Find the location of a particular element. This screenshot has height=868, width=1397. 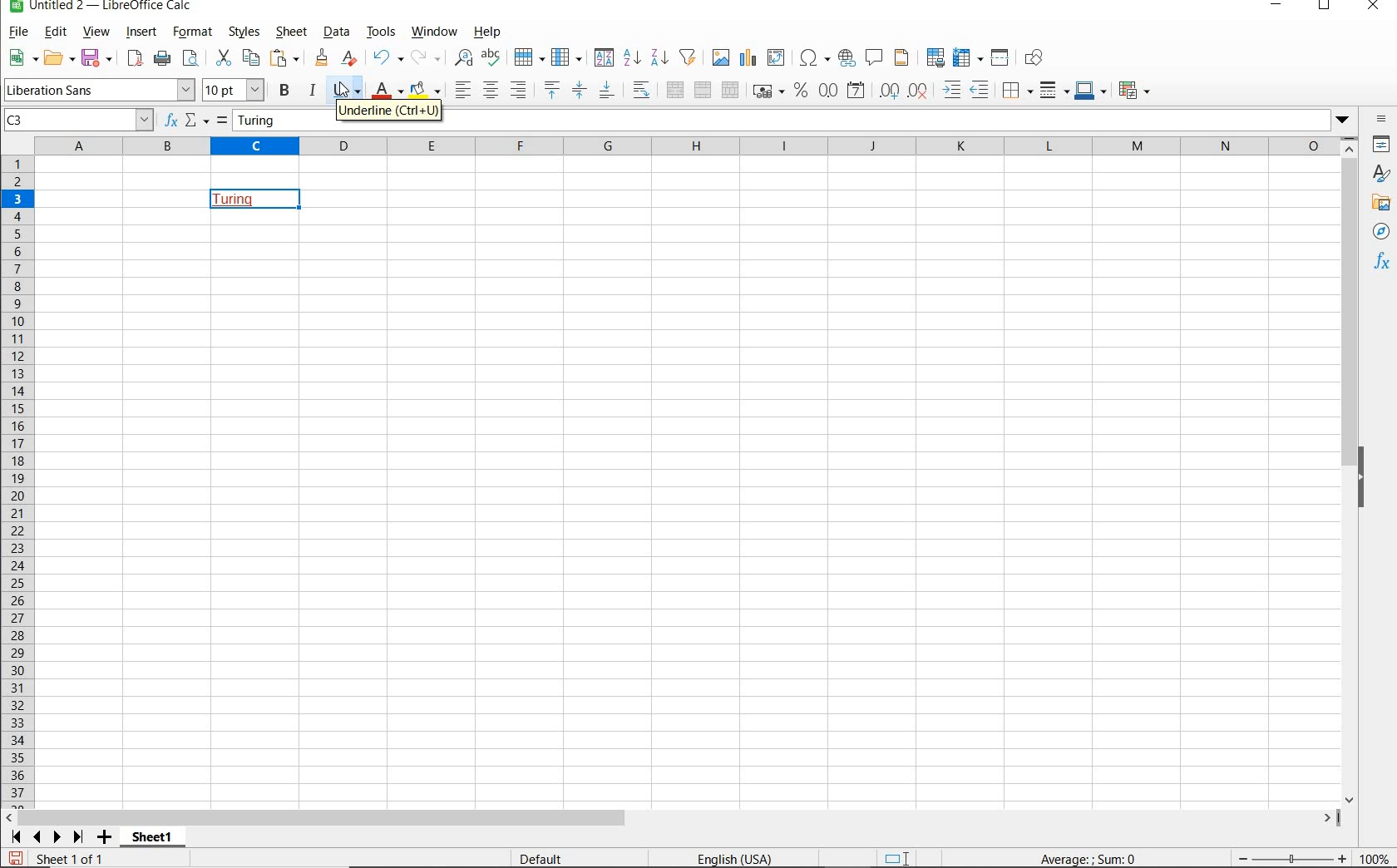

SAVE is located at coordinates (16, 858).